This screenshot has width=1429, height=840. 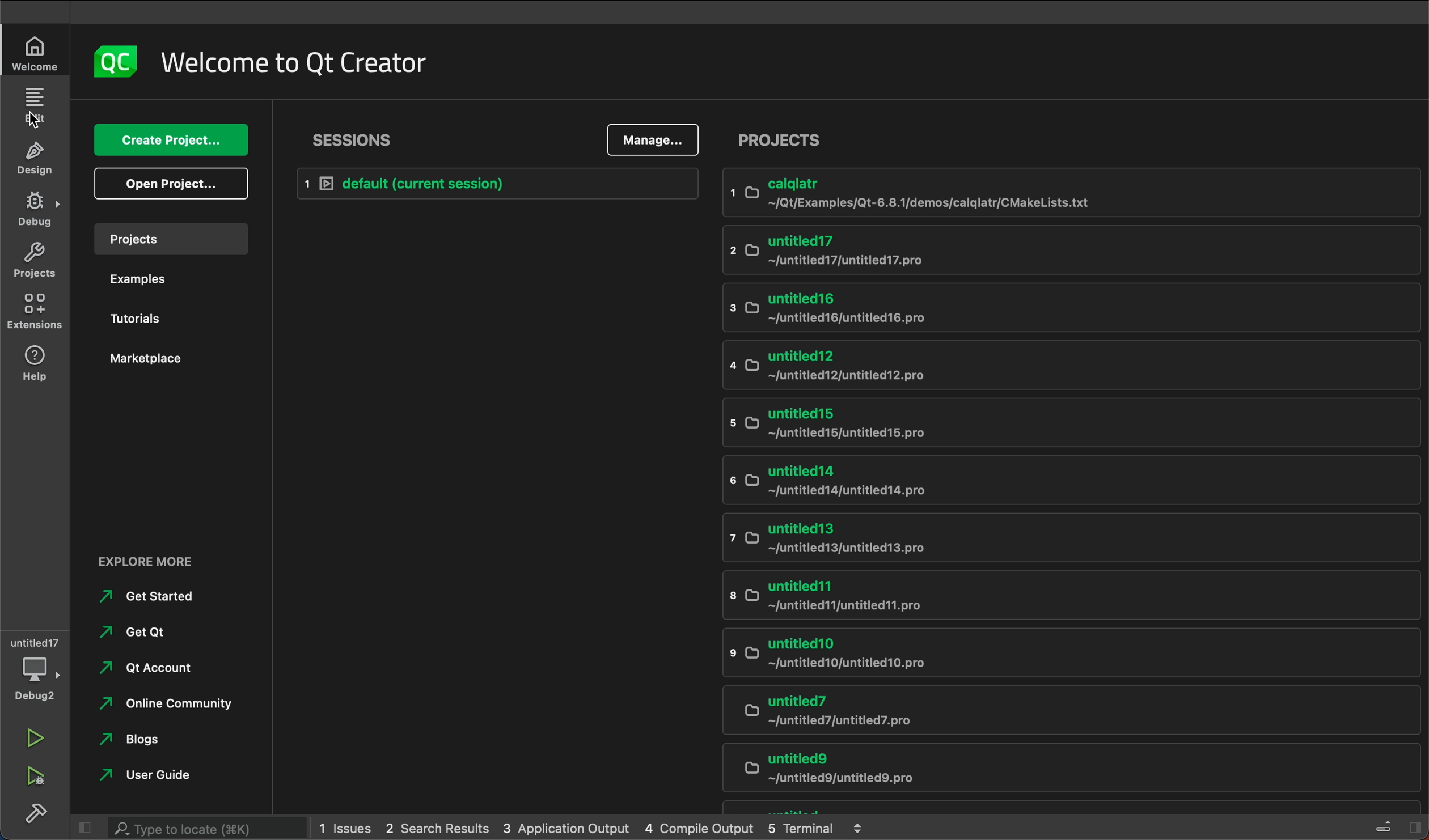 I want to click on logo, so click(x=117, y=60).